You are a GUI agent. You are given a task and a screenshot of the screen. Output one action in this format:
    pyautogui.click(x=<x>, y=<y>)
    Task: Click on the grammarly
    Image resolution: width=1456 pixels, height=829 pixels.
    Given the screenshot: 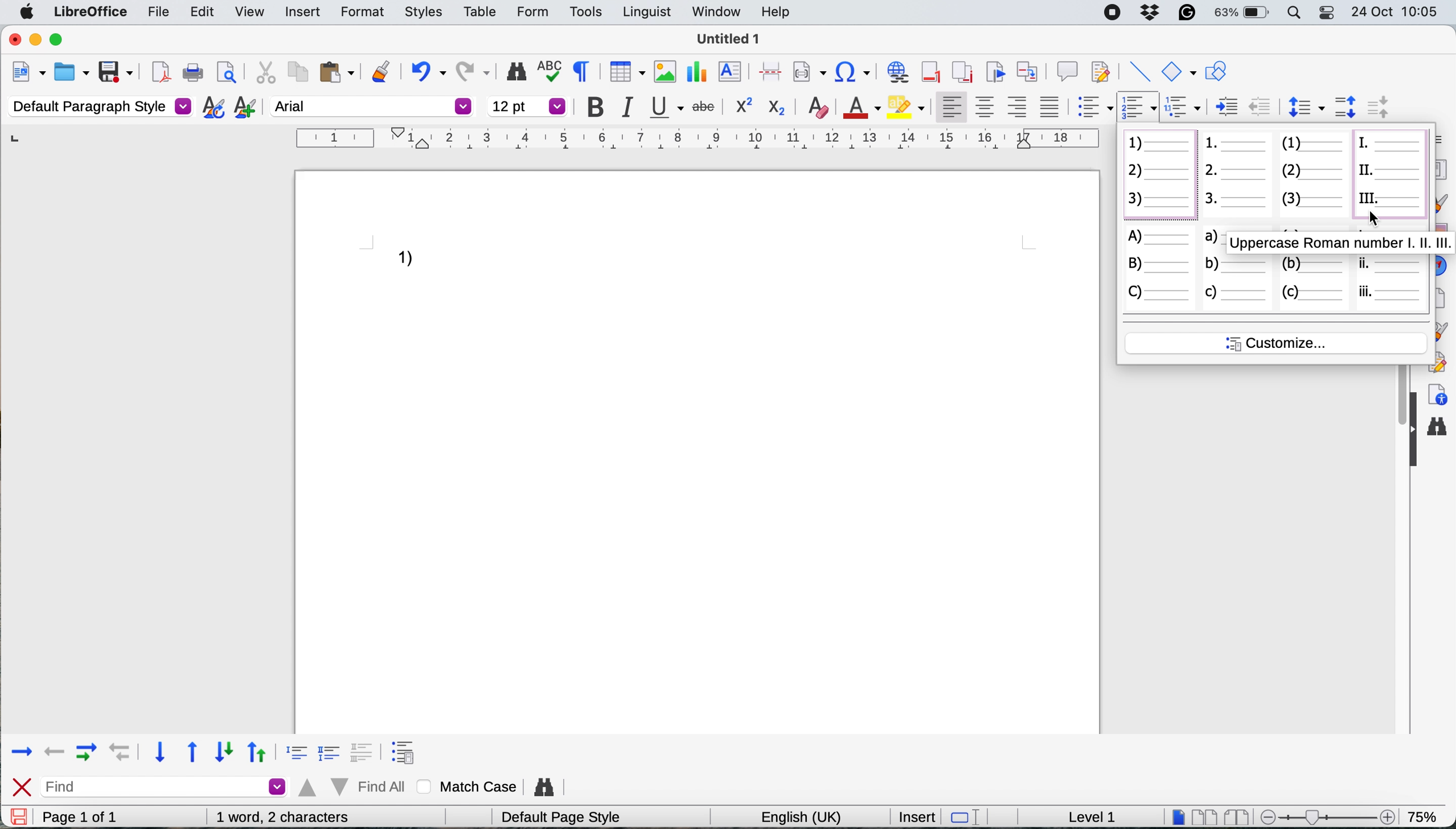 What is the action you would take?
    pyautogui.click(x=1185, y=12)
    